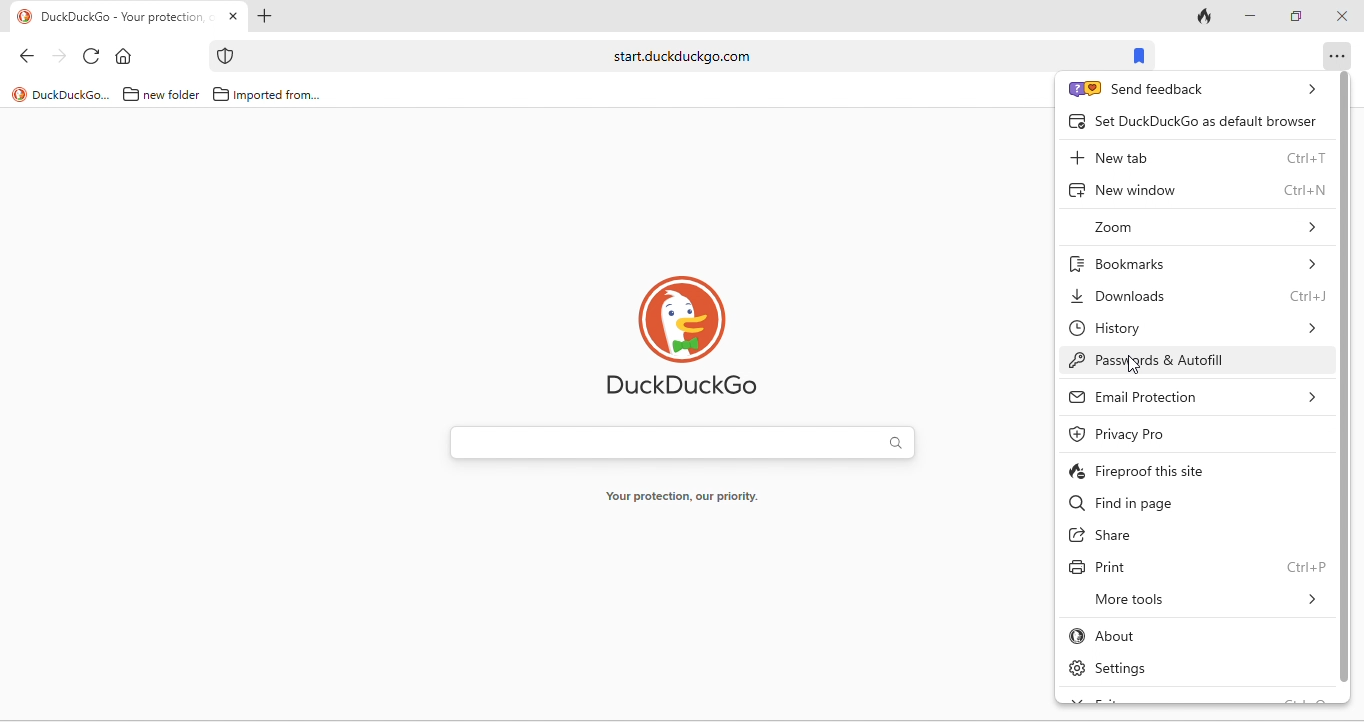  I want to click on send feedback, so click(1197, 91).